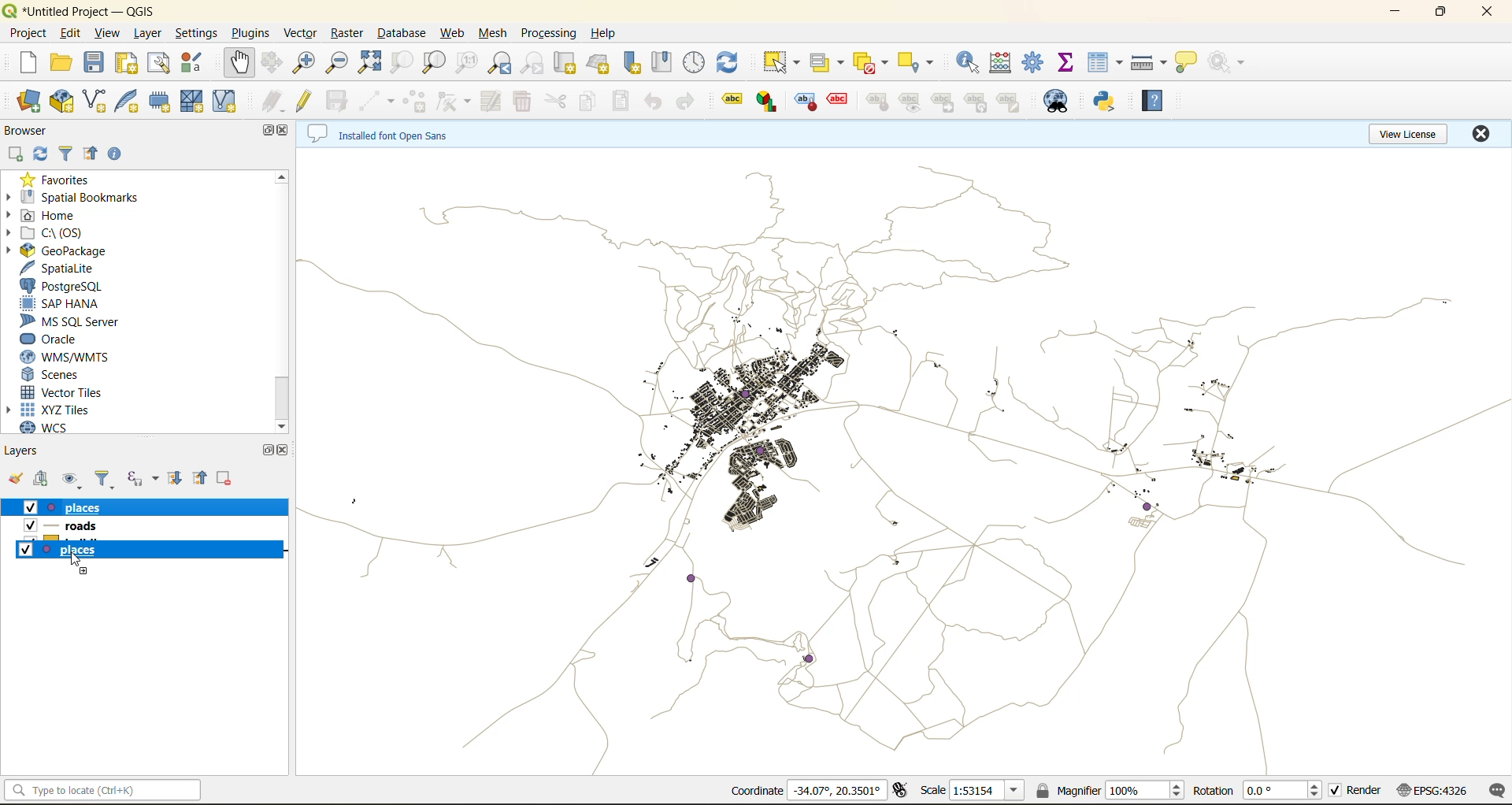  What do you see at coordinates (76, 508) in the screenshot?
I see `place` at bounding box center [76, 508].